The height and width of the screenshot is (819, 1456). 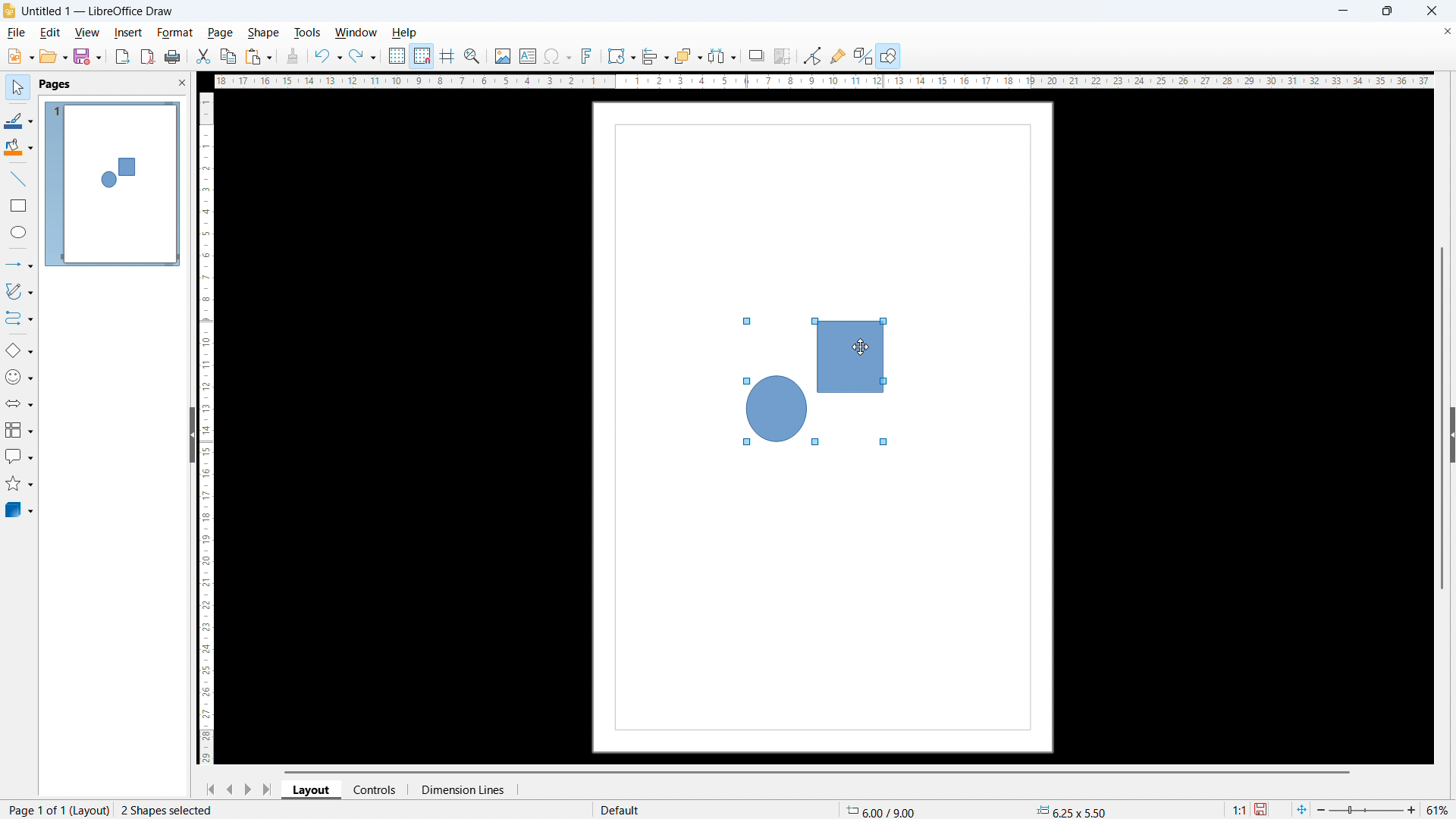 What do you see at coordinates (1452, 435) in the screenshot?
I see `expand sidebar` at bounding box center [1452, 435].